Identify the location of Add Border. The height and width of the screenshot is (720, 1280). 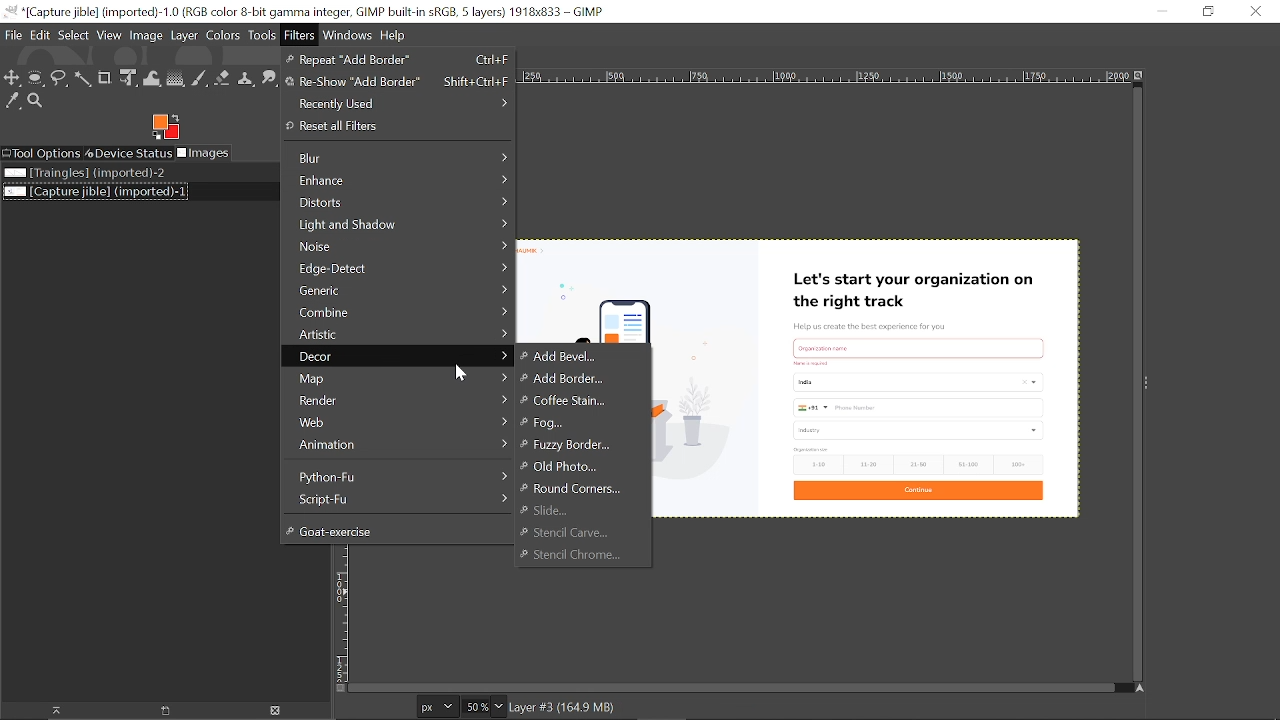
(571, 378).